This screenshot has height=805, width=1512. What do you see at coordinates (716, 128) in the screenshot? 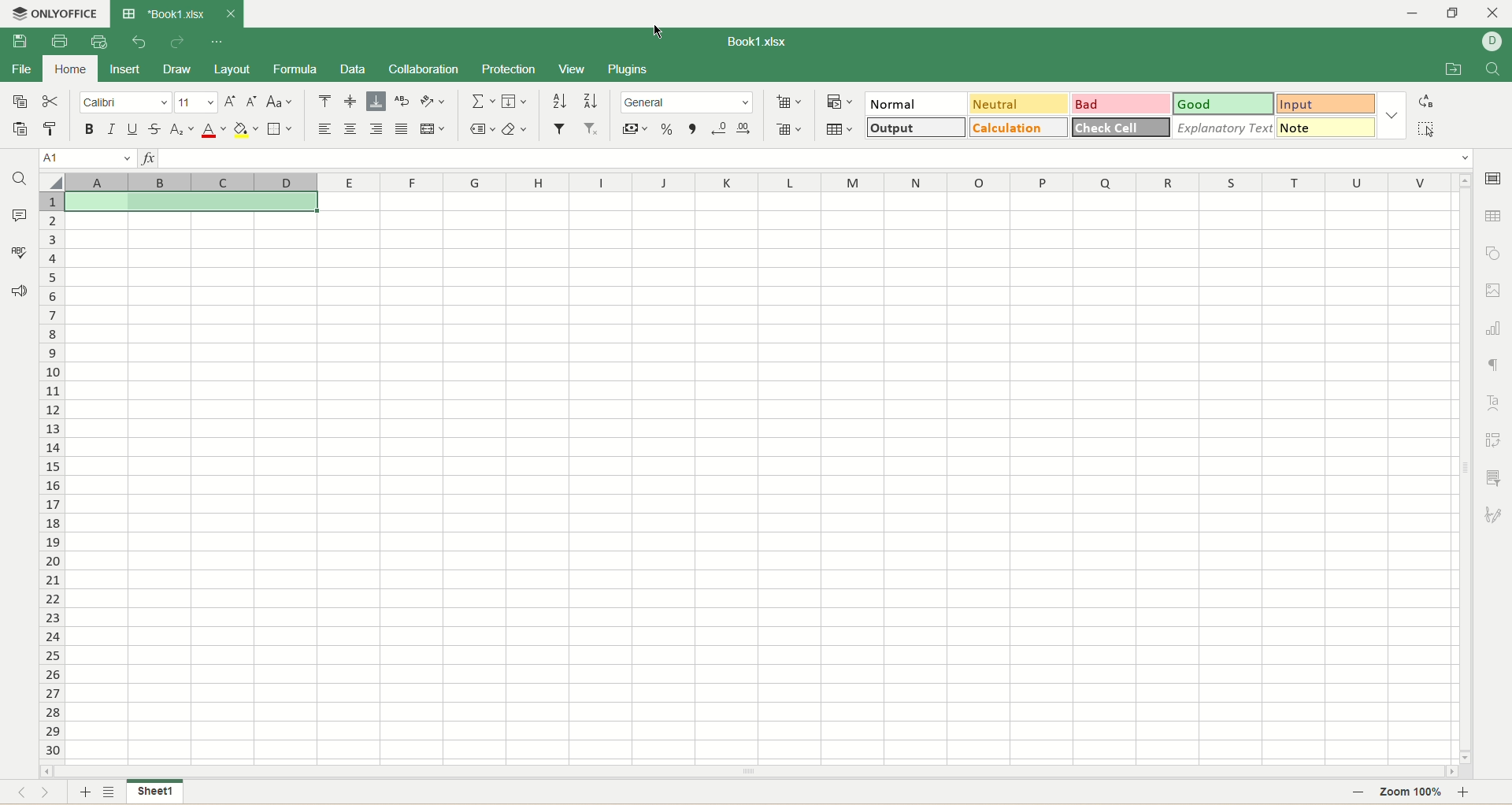
I see `decrease decimal` at bounding box center [716, 128].